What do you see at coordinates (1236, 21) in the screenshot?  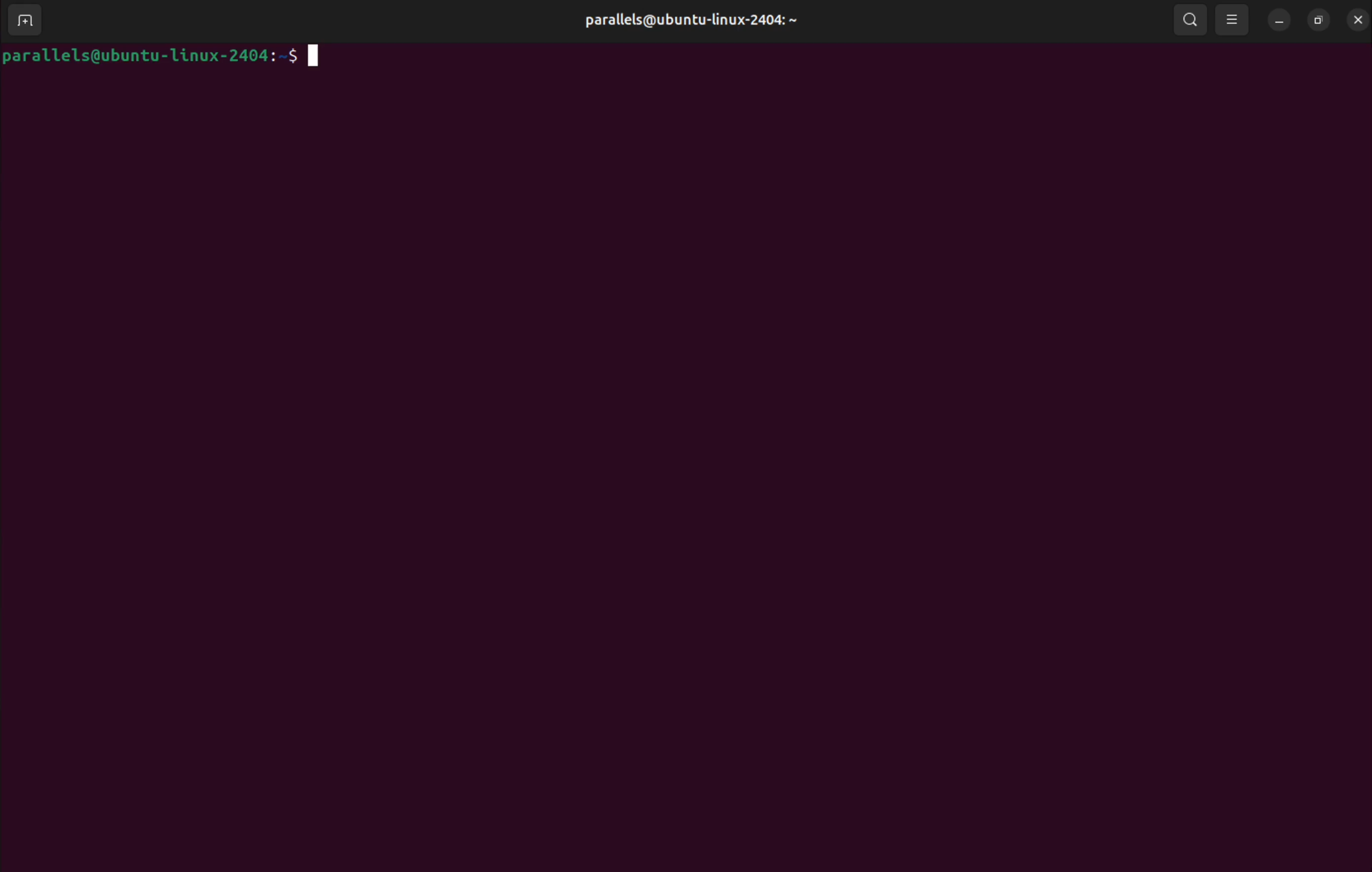 I see `view options` at bounding box center [1236, 21].